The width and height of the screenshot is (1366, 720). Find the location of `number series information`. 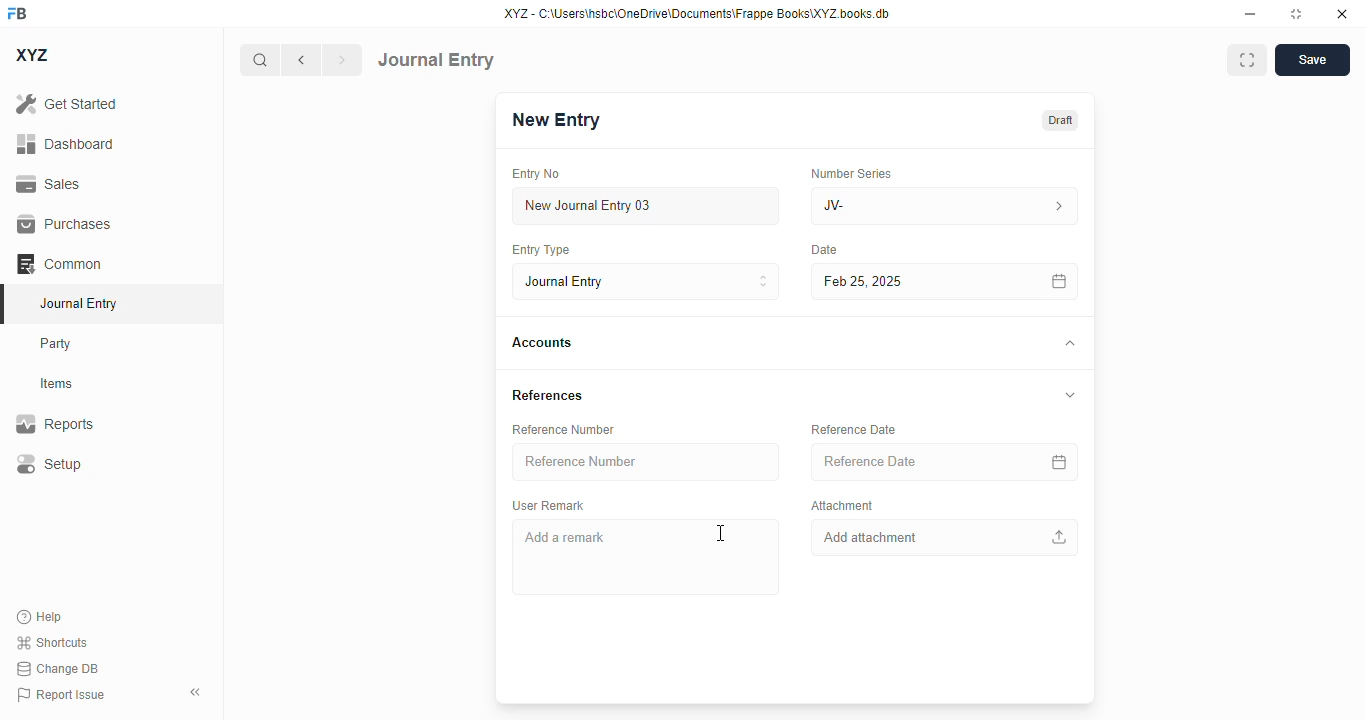

number series information is located at coordinates (1062, 207).